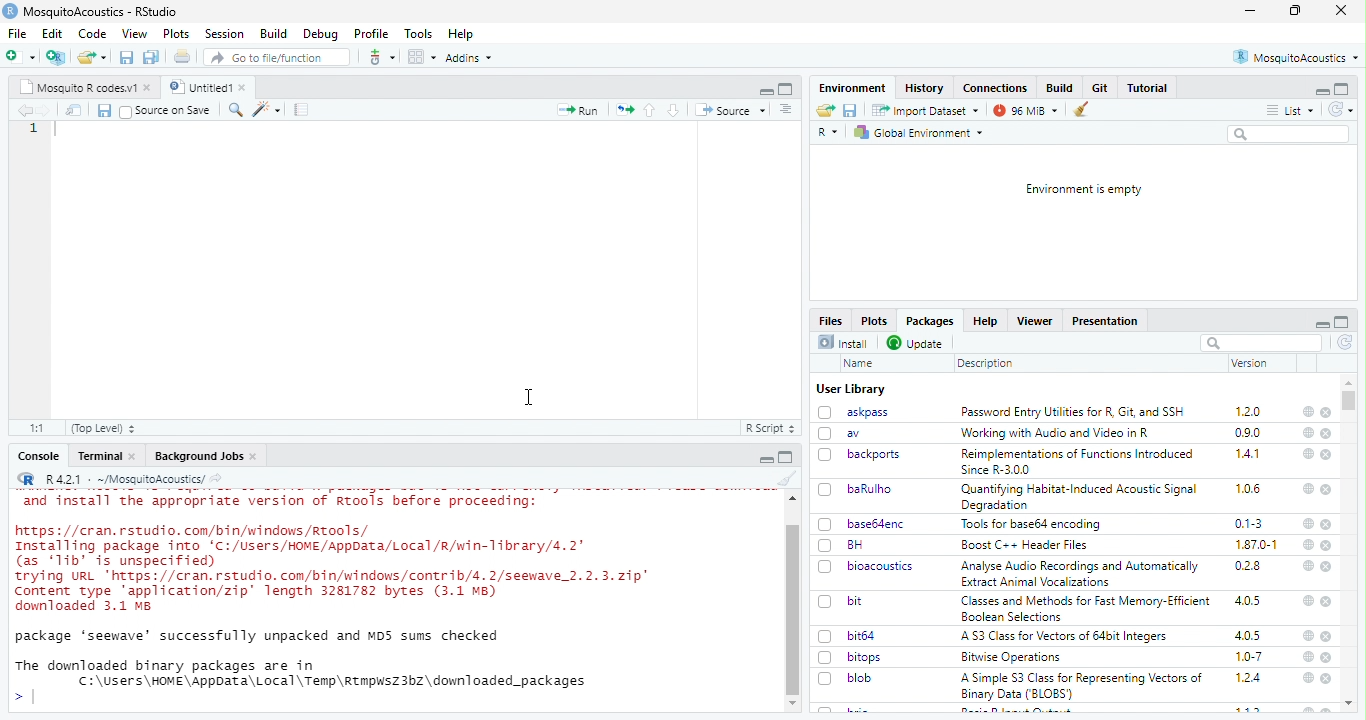 Image resolution: width=1366 pixels, height=720 pixels. Describe the element at coordinates (854, 433) in the screenshot. I see `av` at that location.